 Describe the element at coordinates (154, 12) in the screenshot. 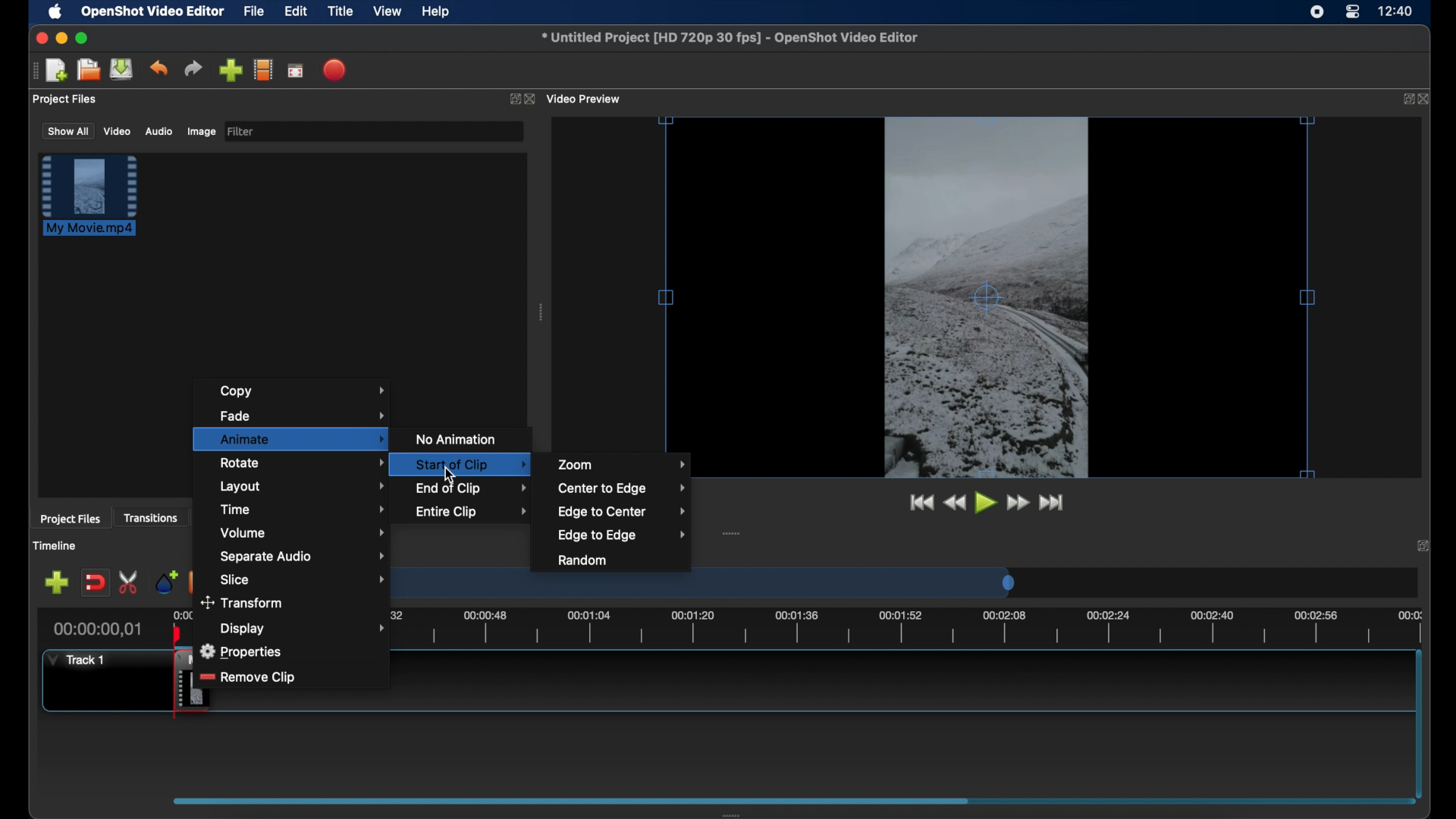

I see `openshot video editor` at that location.